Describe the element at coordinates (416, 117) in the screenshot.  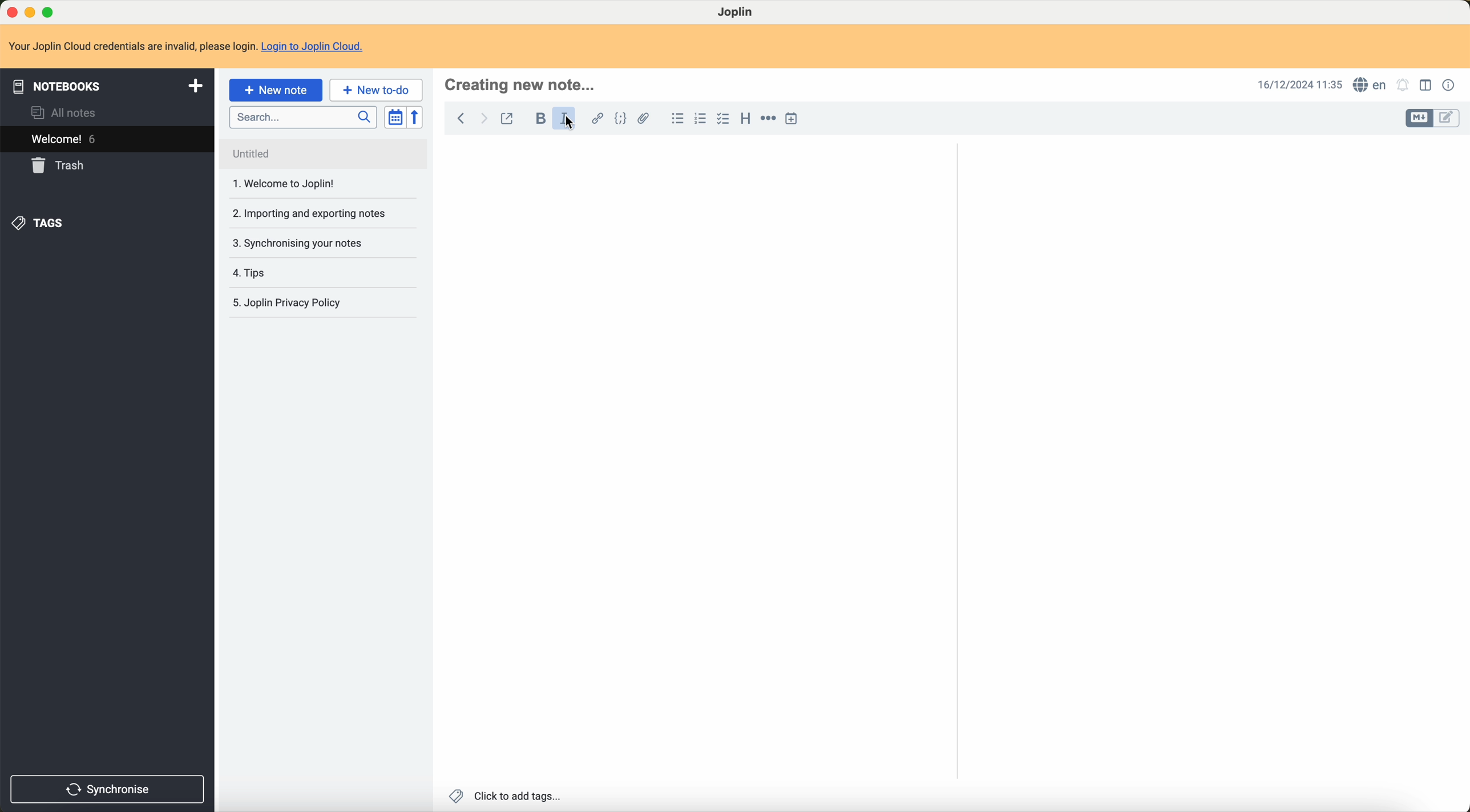
I see `reverse sort order` at that location.